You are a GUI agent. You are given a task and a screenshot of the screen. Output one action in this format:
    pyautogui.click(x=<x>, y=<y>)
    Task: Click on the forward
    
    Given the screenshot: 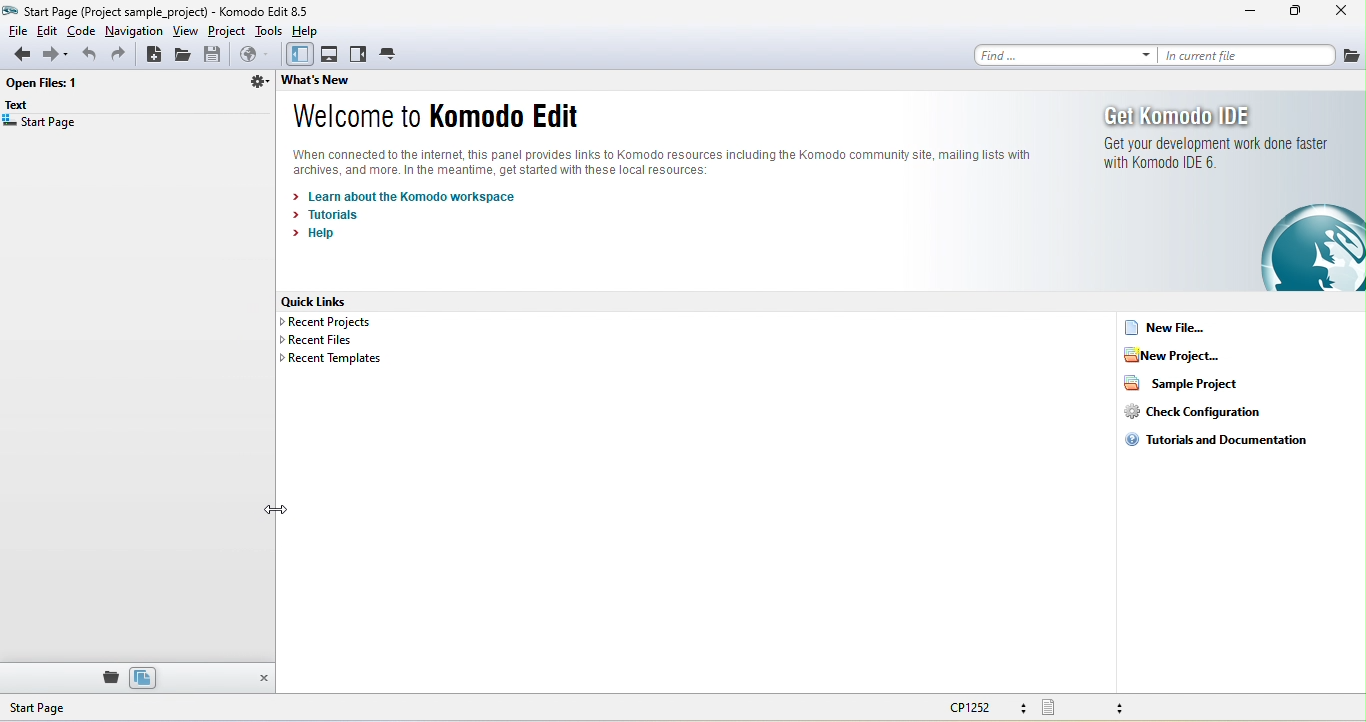 What is the action you would take?
    pyautogui.click(x=54, y=56)
    